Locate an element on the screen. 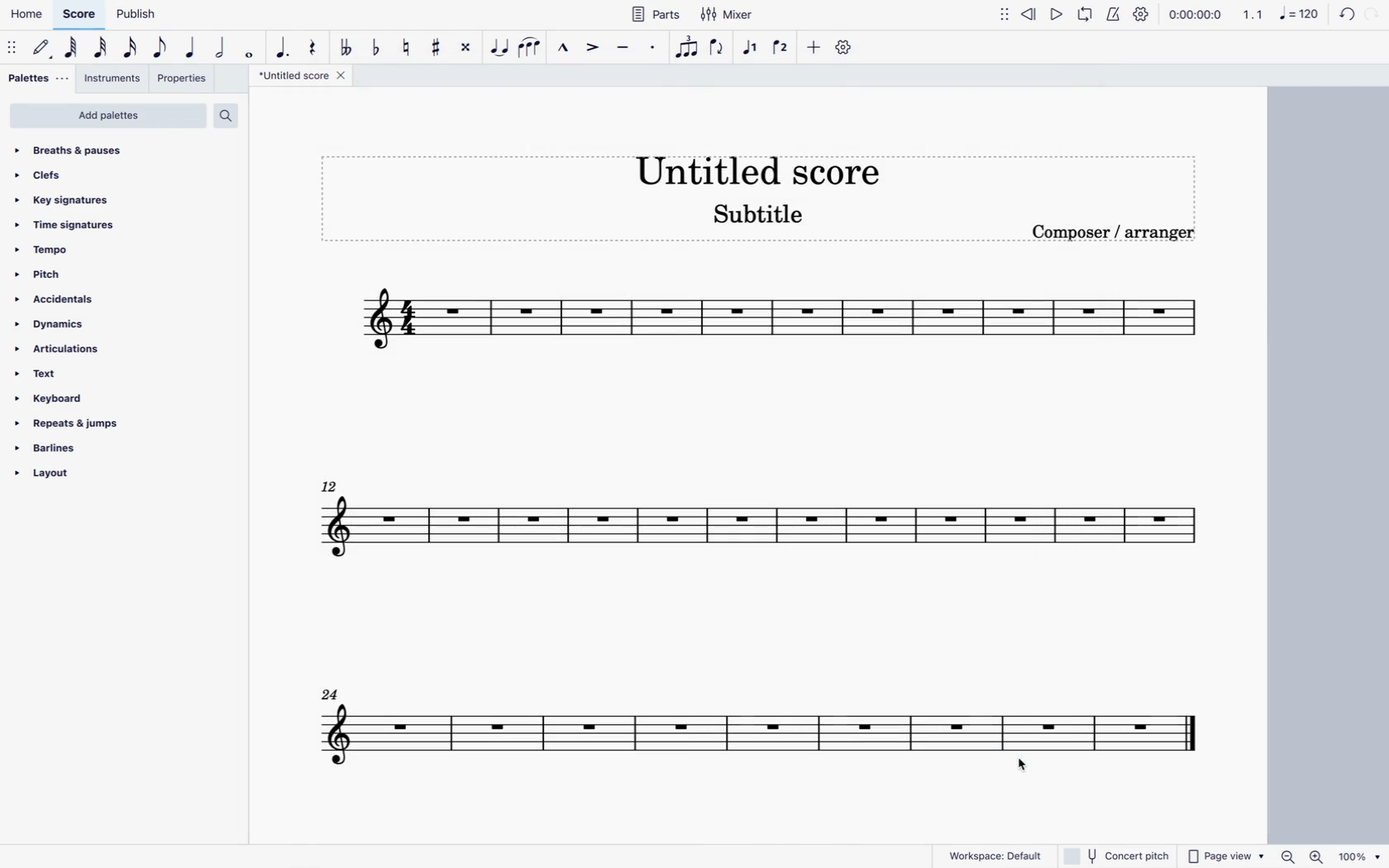 Image resolution: width=1389 pixels, height=868 pixels. tuplet is located at coordinates (688, 46).